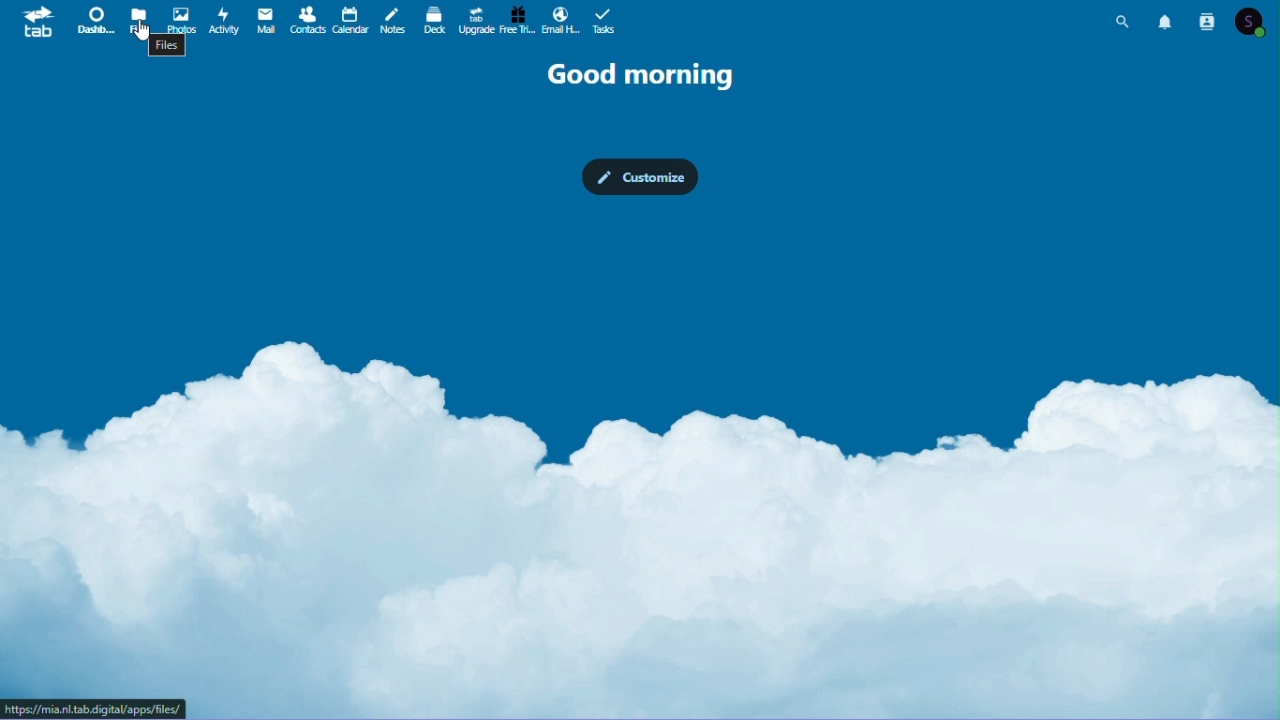 Image resolution: width=1280 pixels, height=720 pixels. Describe the element at coordinates (638, 177) in the screenshot. I see `customize` at that location.